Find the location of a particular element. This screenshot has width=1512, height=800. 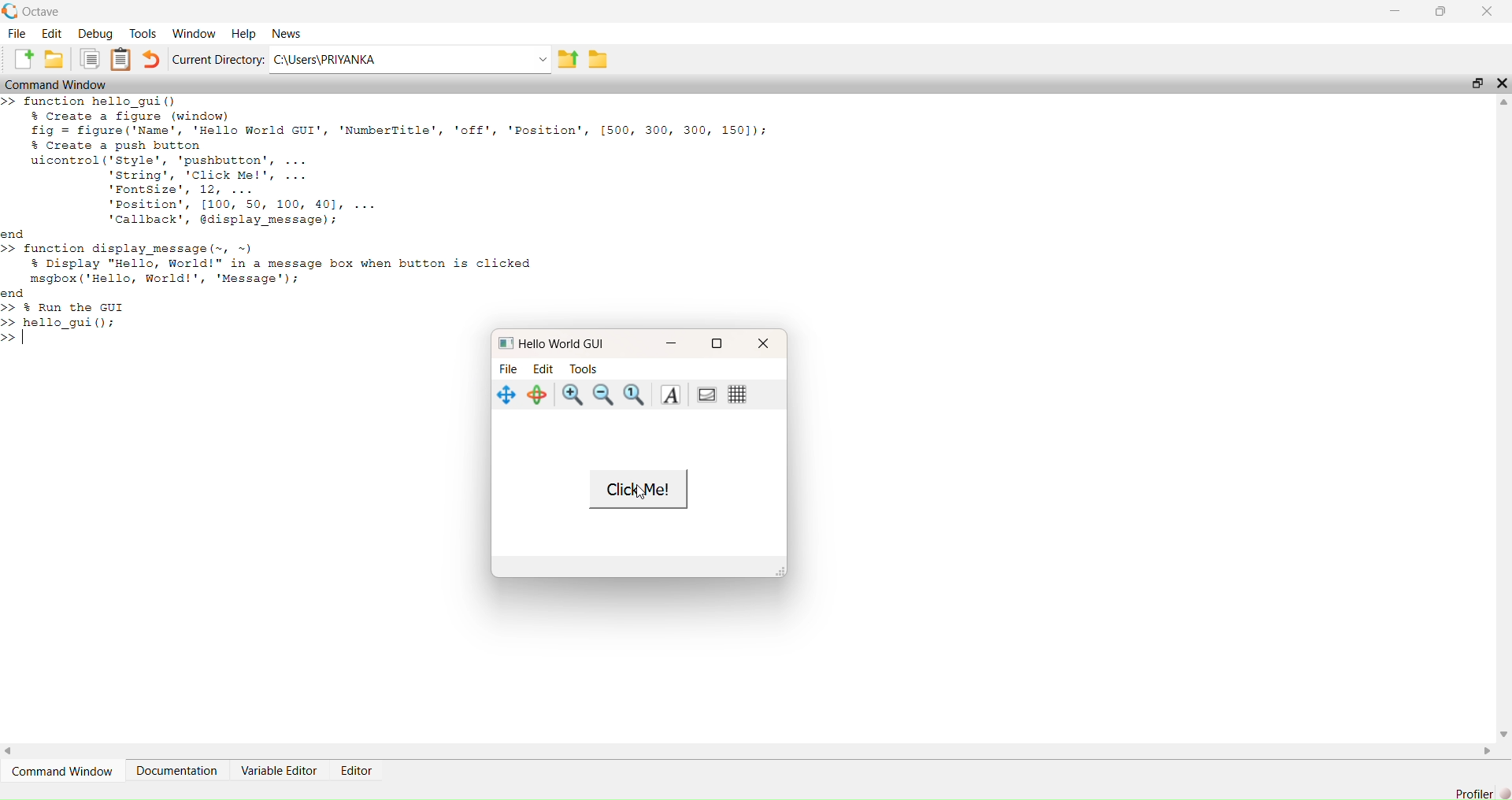

Tools is located at coordinates (143, 31).